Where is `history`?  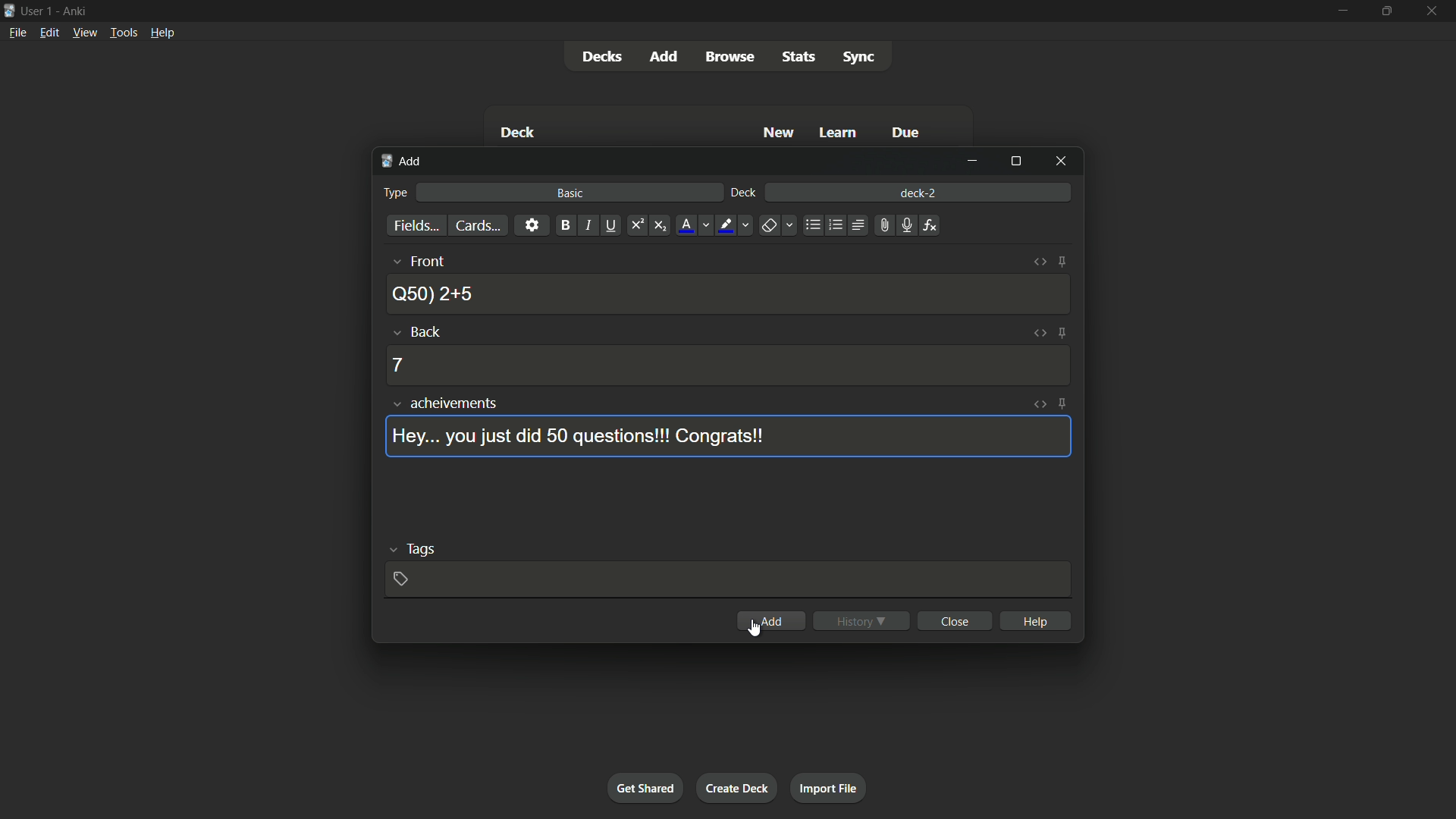
history is located at coordinates (859, 621).